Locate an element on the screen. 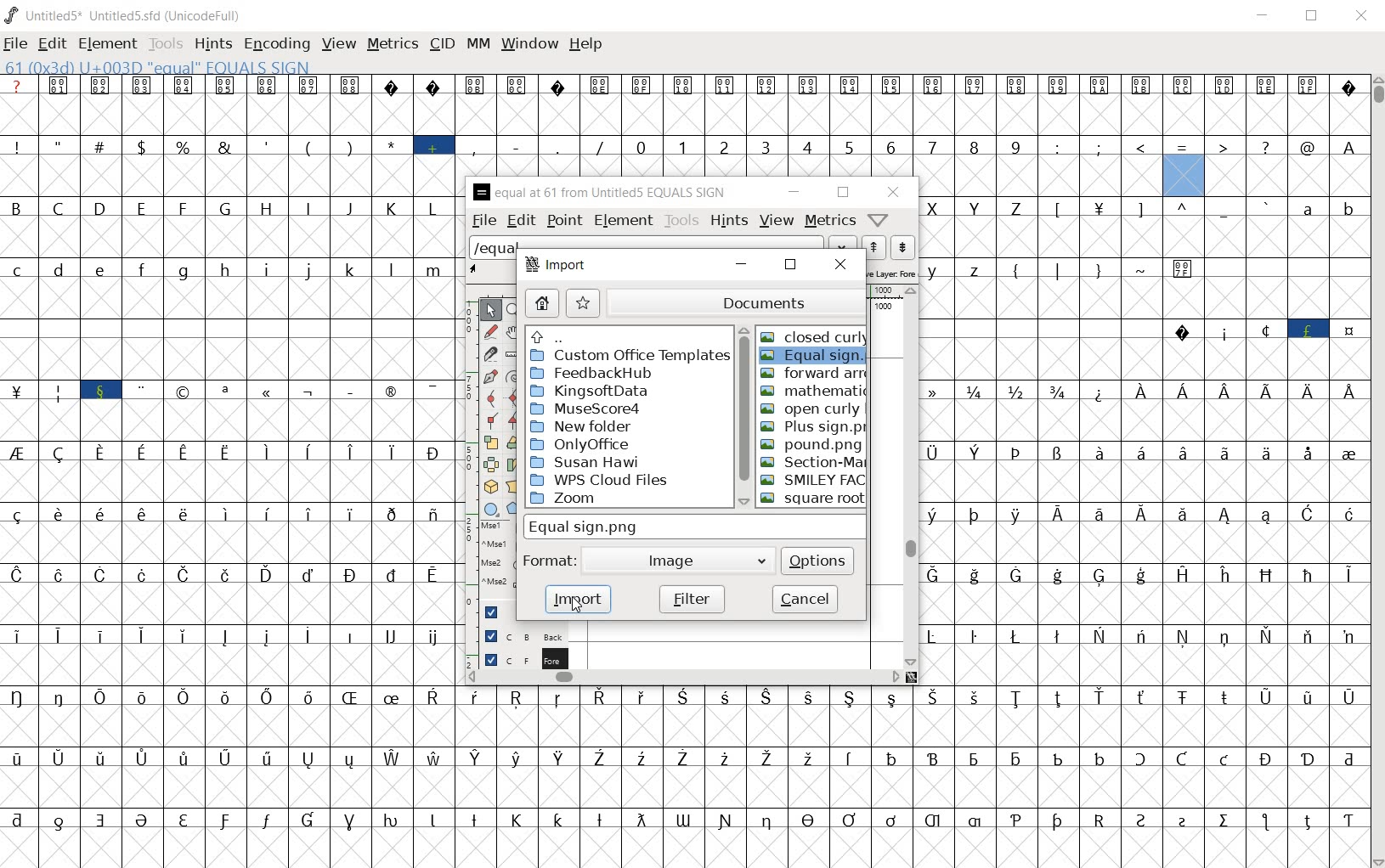  glyphs is located at coordinates (229, 464).